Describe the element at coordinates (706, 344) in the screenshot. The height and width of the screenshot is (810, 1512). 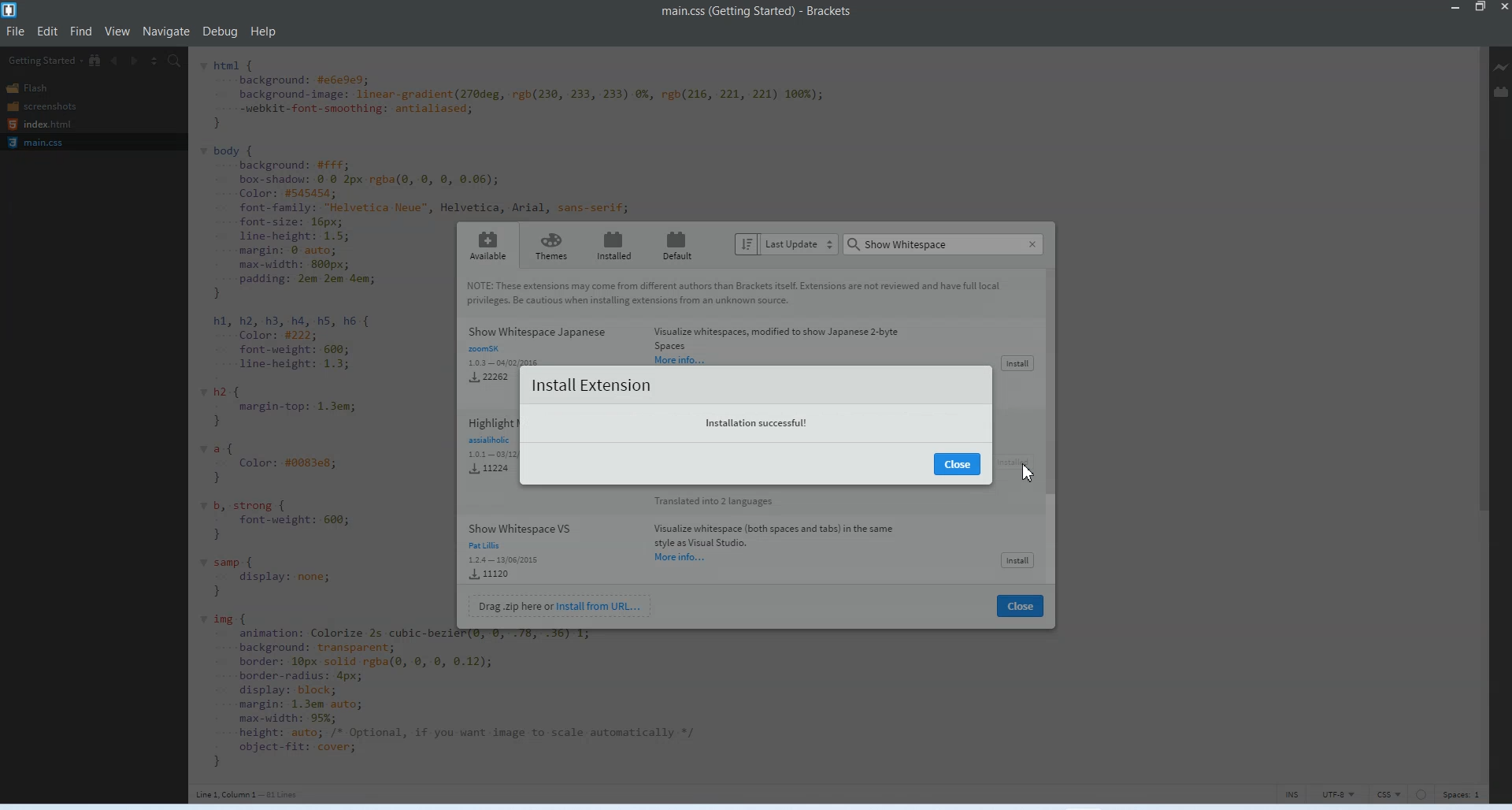
I see `Show Whitespace Japanese` at that location.